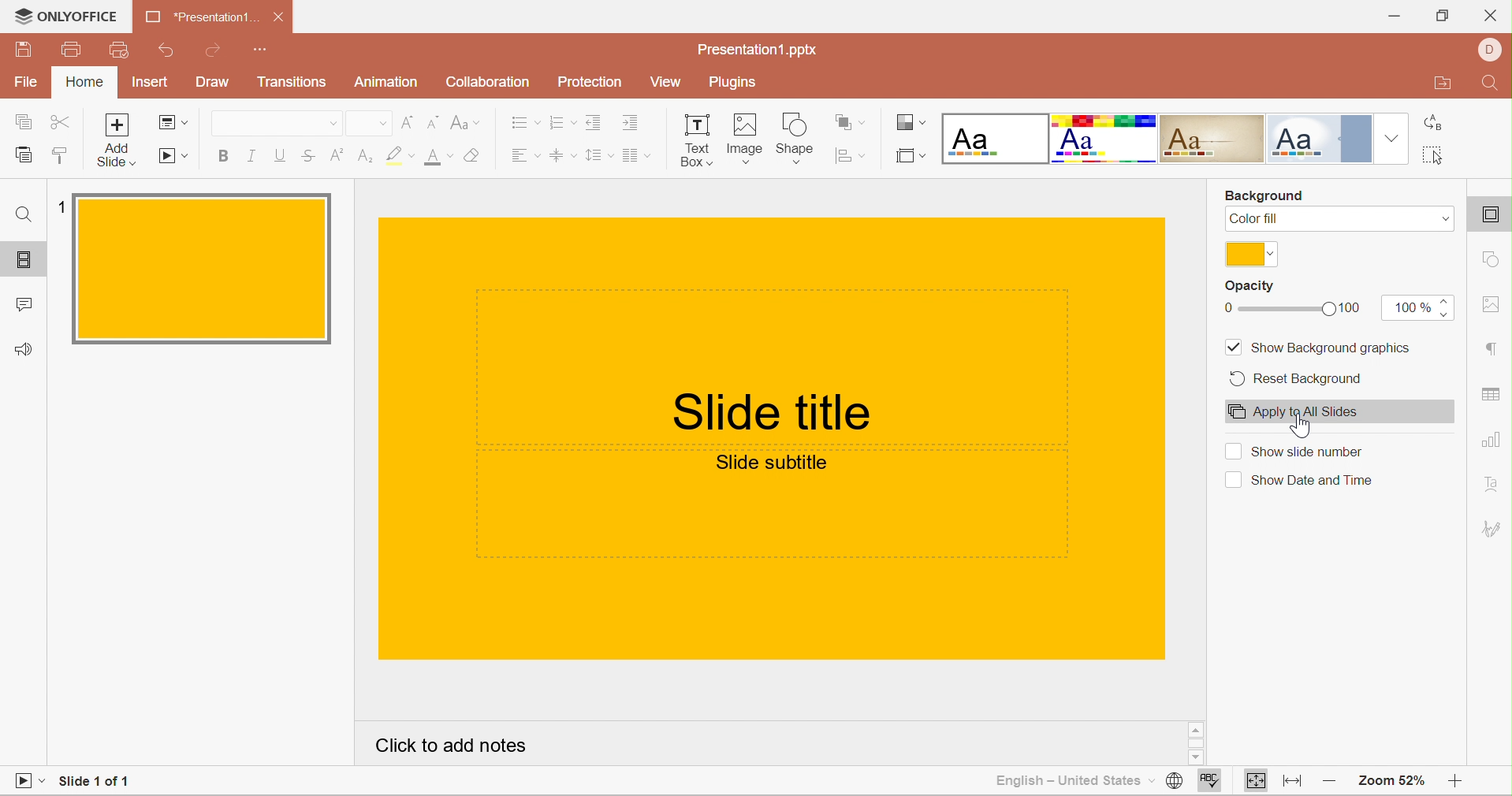 This screenshot has height=796, width=1512. I want to click on Start Slideshow, so click(29, 779).